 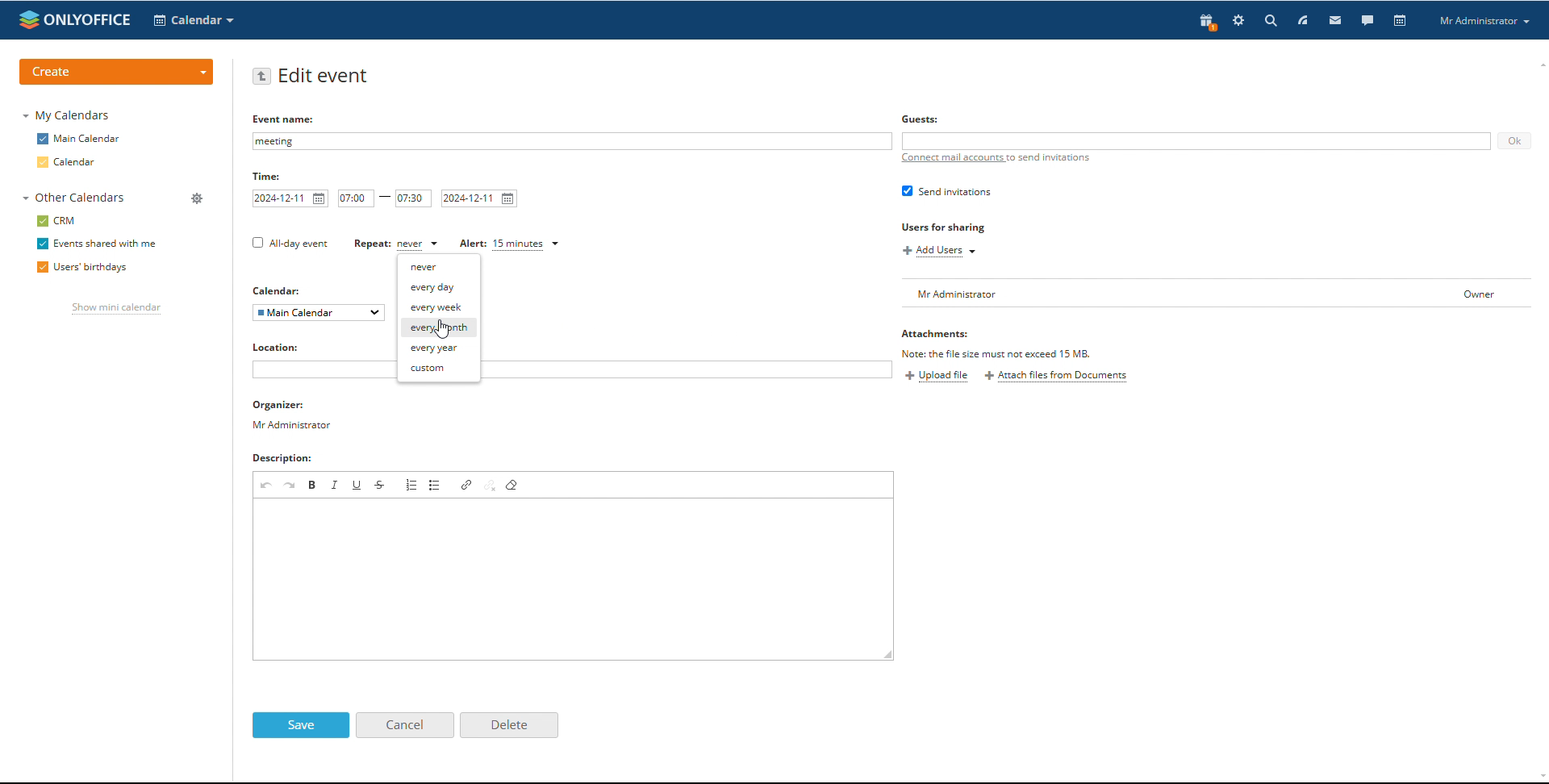 What do you see at coordinates (469, 485) in the screenshot?
I see `link` at bounding box center [469, 485].